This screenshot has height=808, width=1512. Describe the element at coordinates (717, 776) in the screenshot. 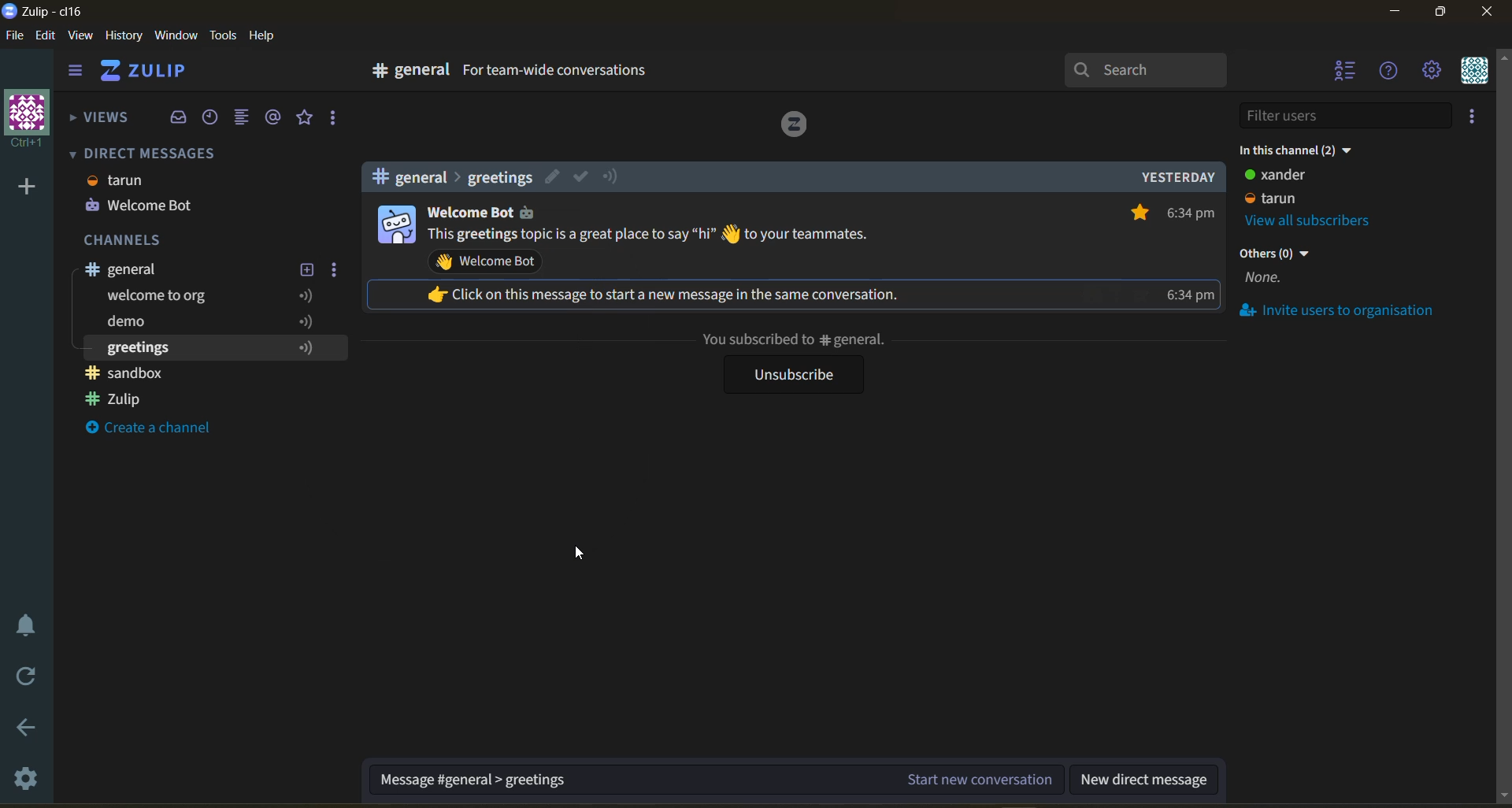

I see `start new conversation` at that location.